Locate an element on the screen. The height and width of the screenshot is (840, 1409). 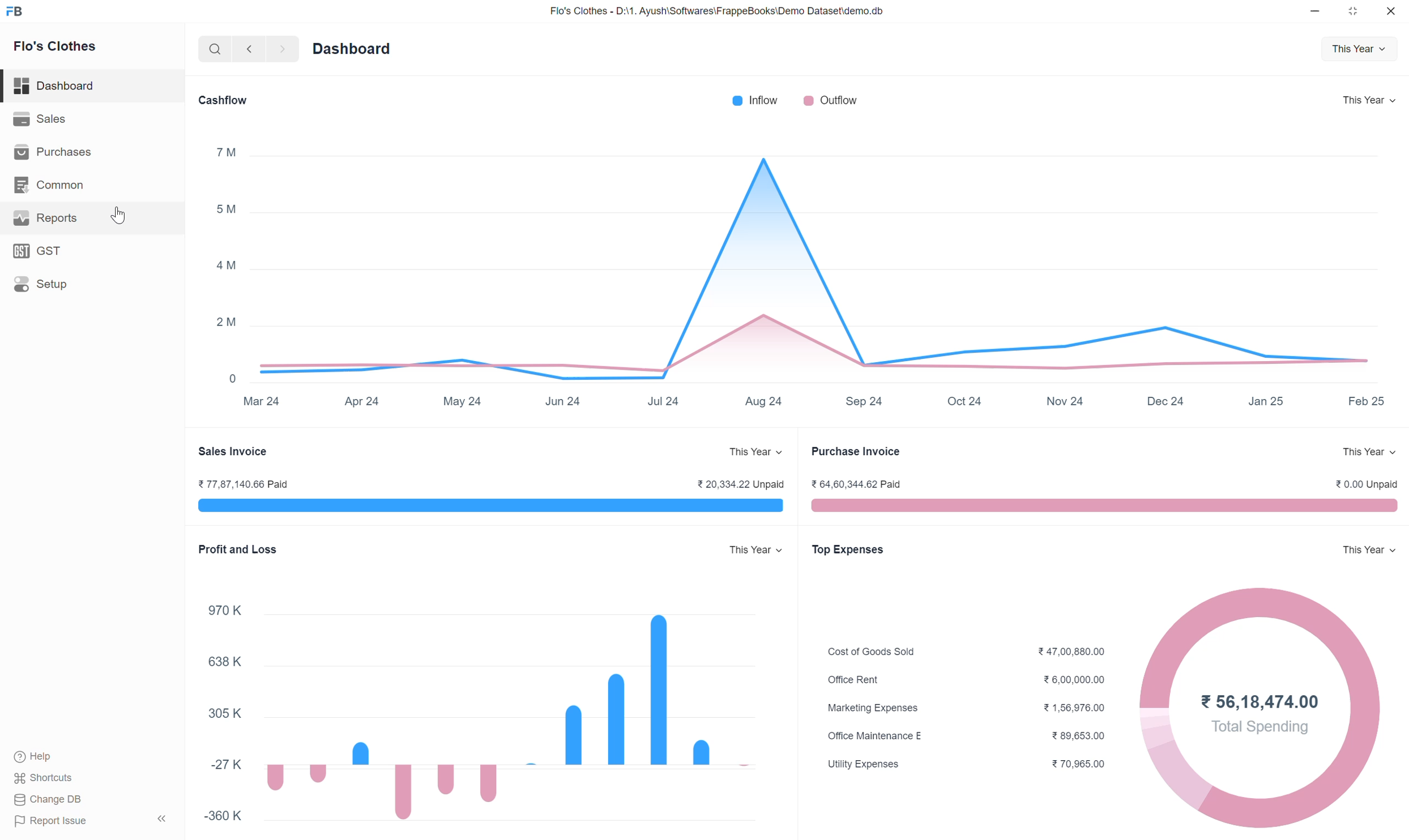
-360 k is located at coordinates (227, 815).